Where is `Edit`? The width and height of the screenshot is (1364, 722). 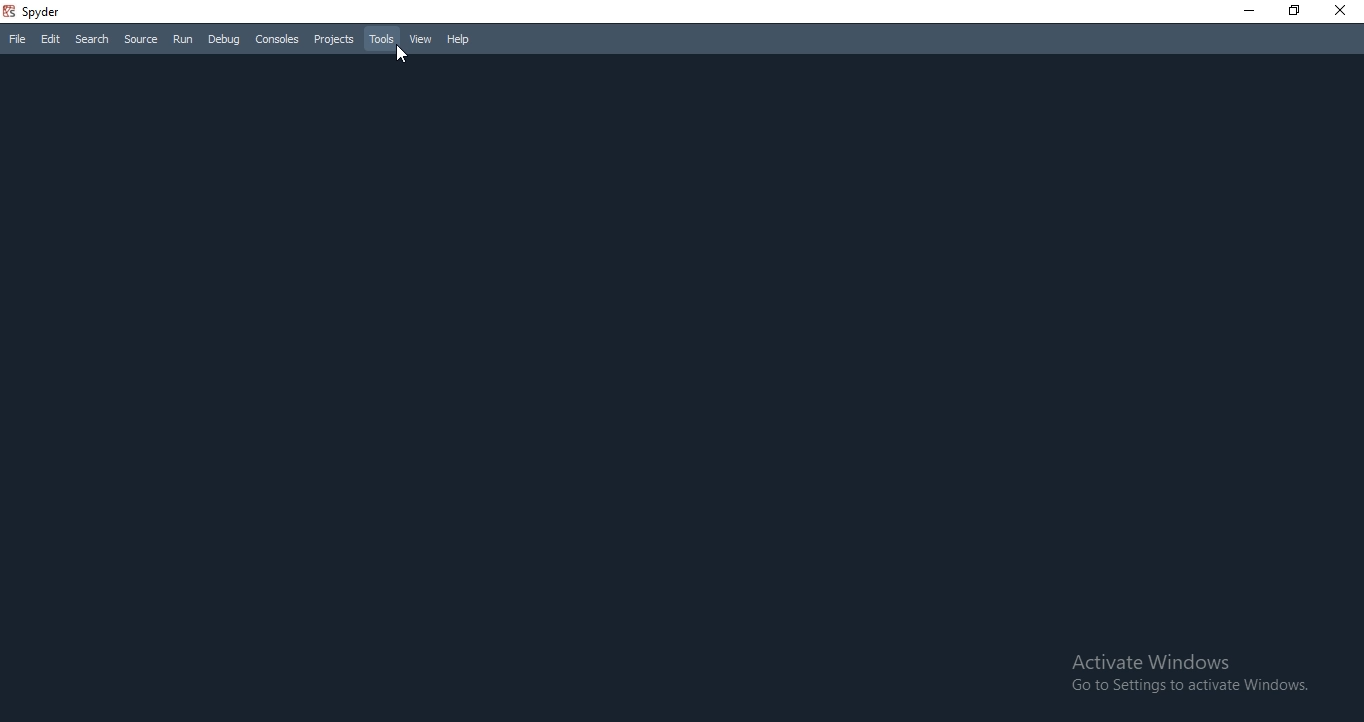 Edit is located at coordinates (50, 40).